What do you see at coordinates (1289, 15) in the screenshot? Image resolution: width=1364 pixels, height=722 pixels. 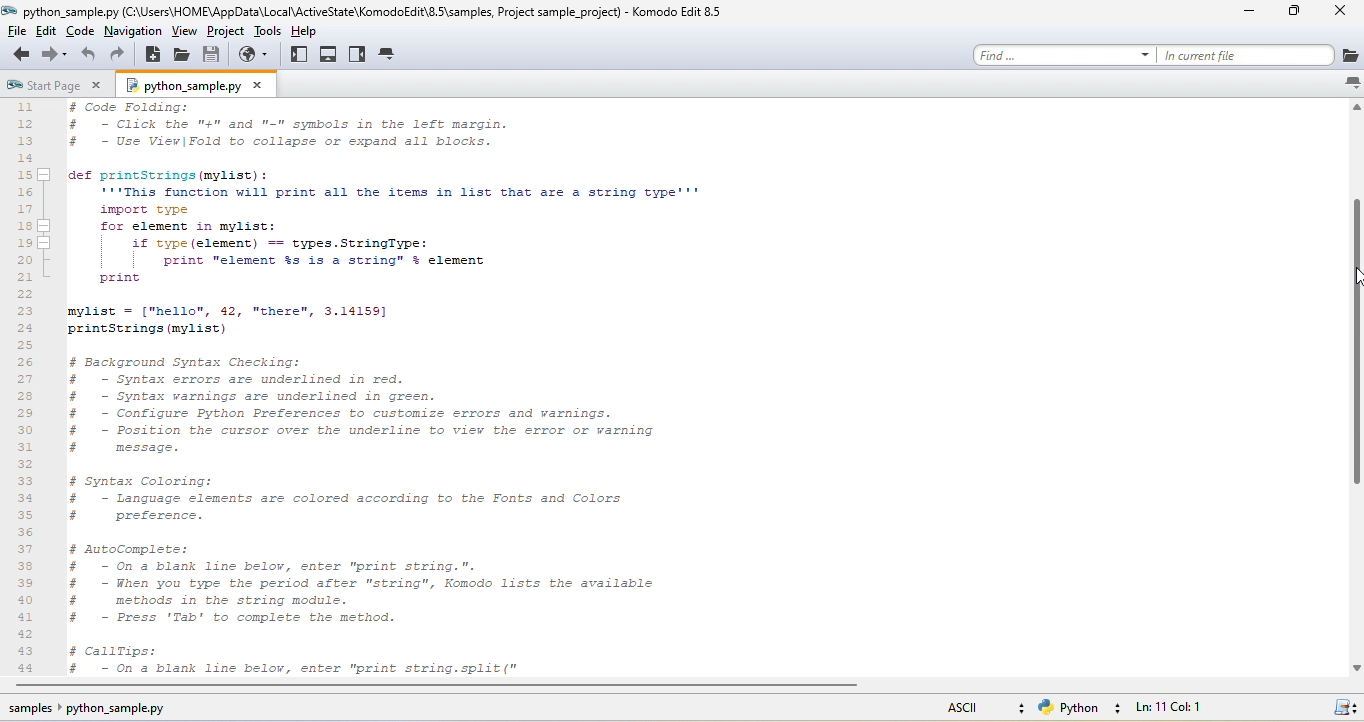 I see `maximize` at bounding box center [1289, 15].